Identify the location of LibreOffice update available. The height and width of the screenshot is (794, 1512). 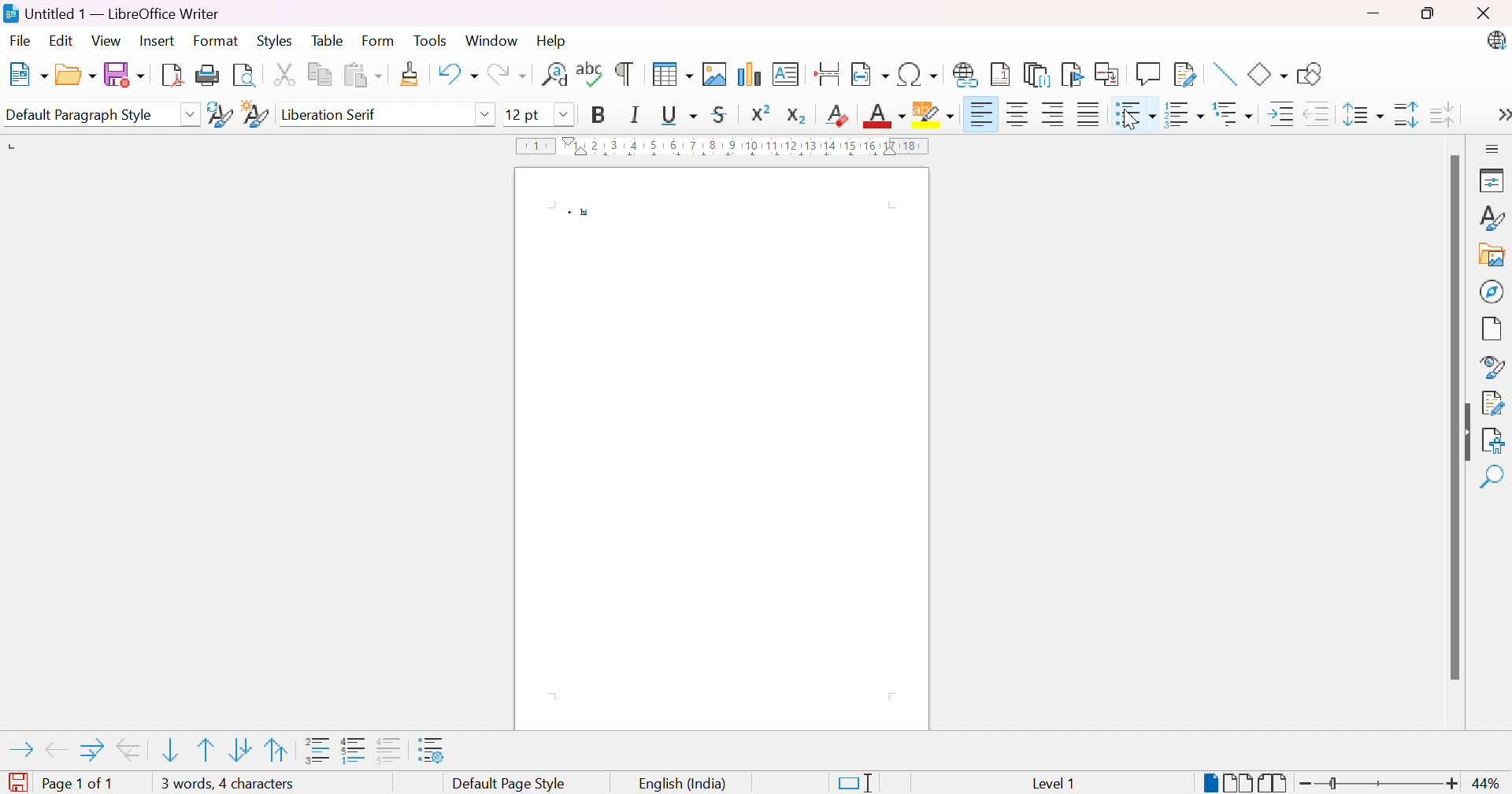
(1495, 39).